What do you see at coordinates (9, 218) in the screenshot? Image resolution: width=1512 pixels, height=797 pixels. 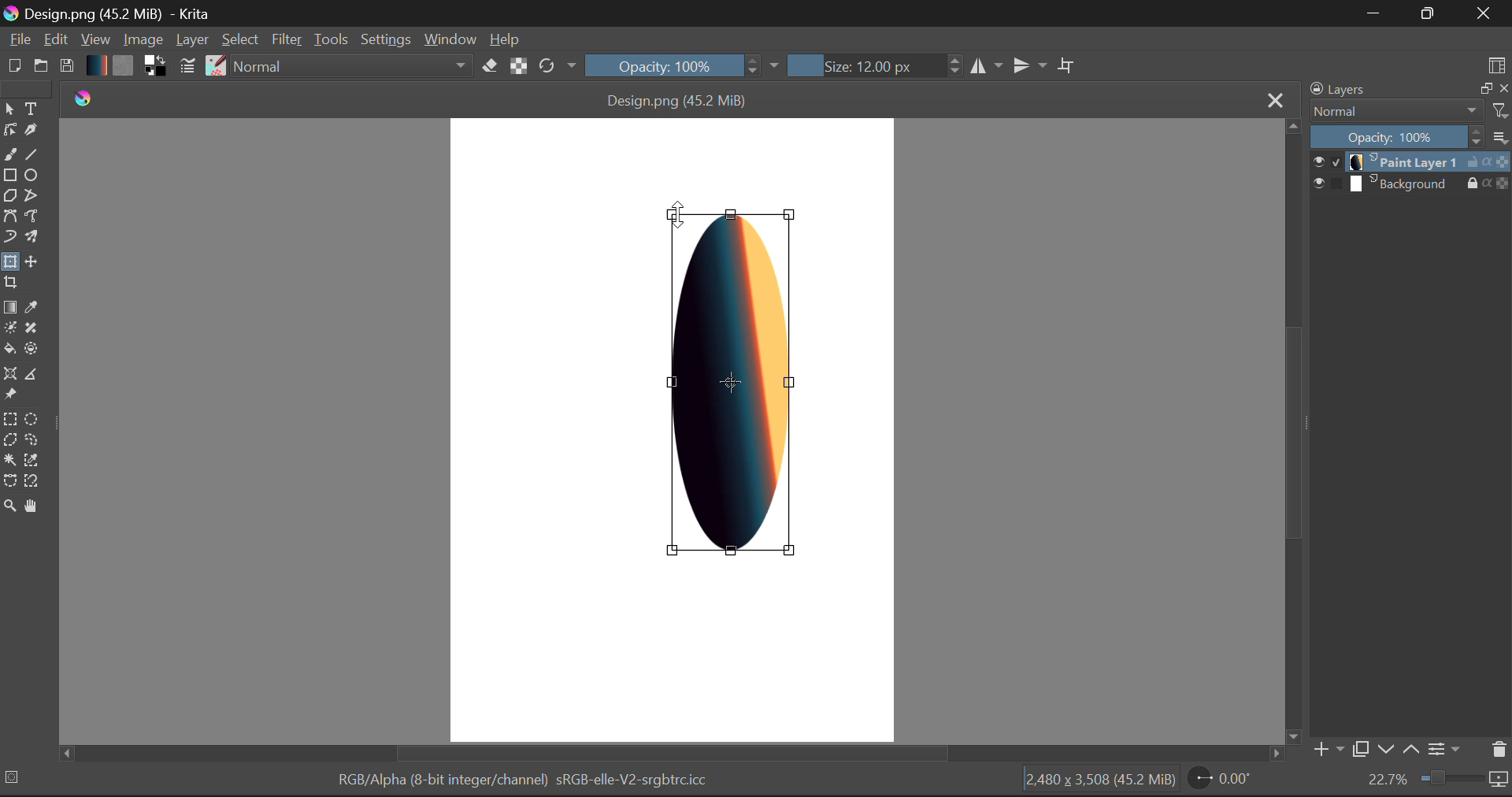 I see `Bezier Curve` at bounding box center [9, 218].